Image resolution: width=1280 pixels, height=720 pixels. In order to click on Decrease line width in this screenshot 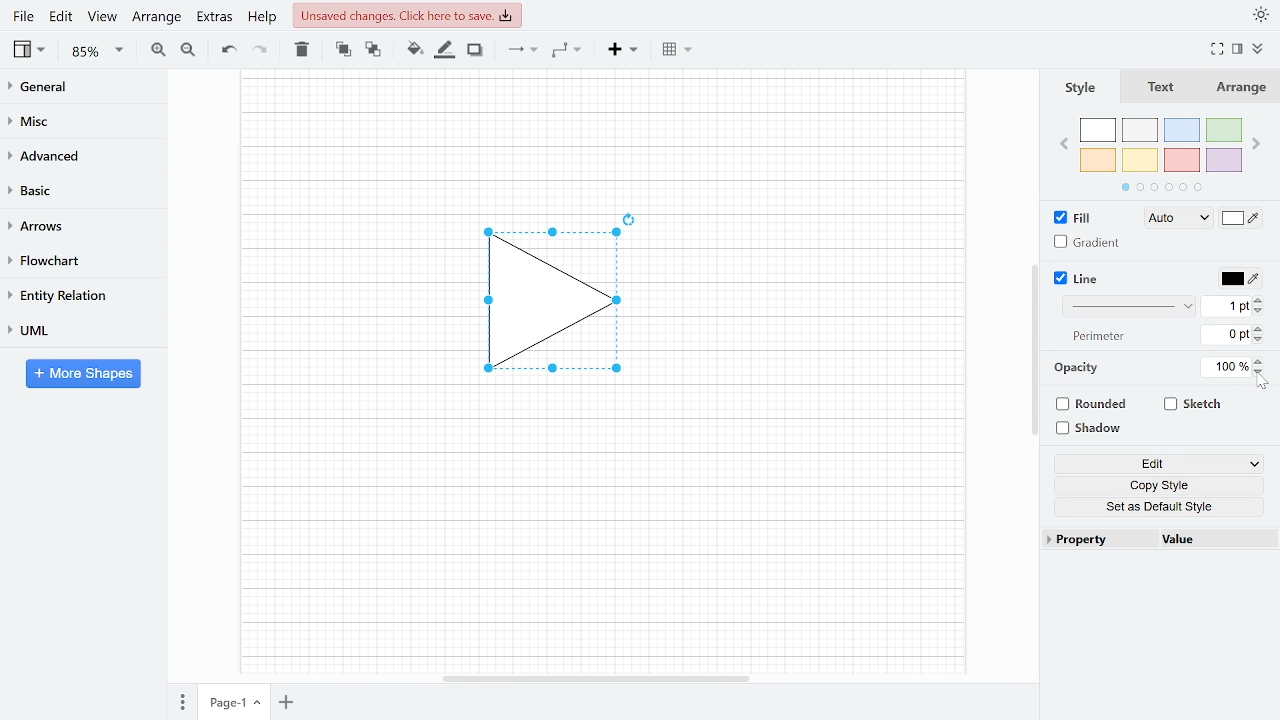, I will do `click(1261, 310)`.